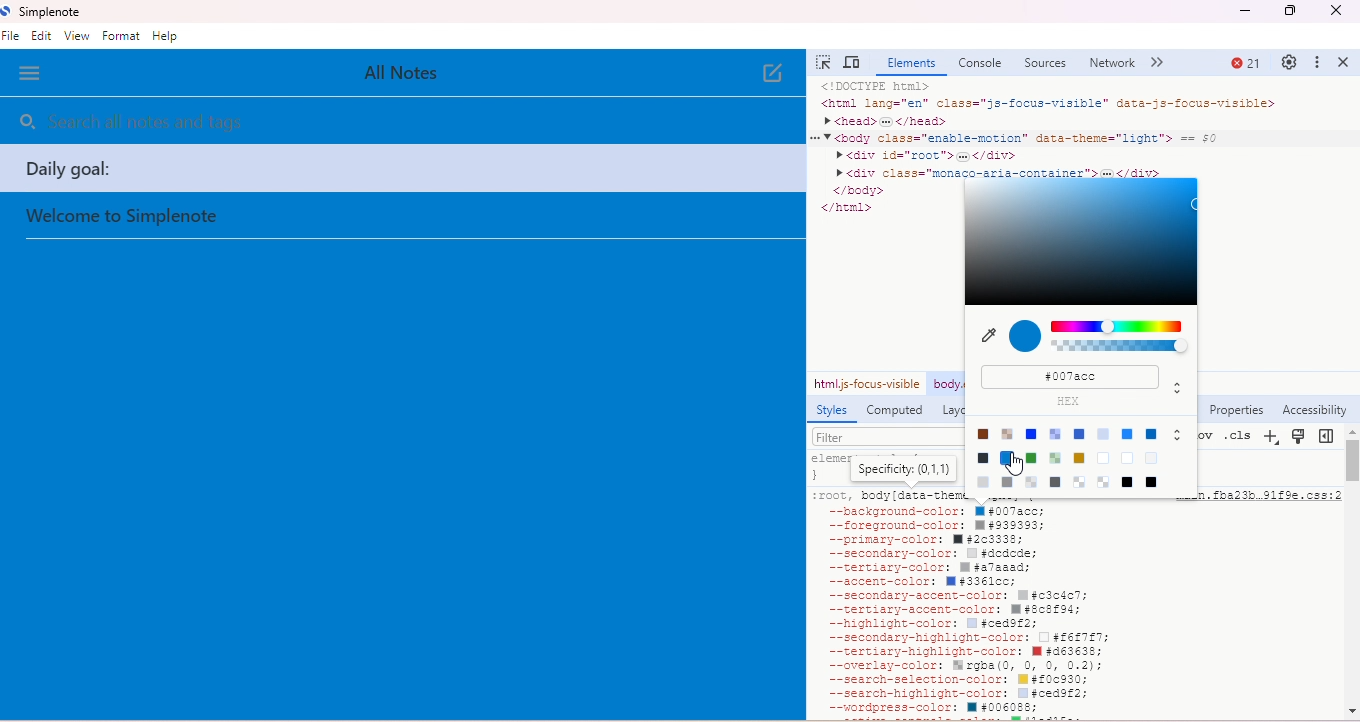 The height and width of the screenshot is (722, 1360). I want to click on color code changed, so click(1074, 378).